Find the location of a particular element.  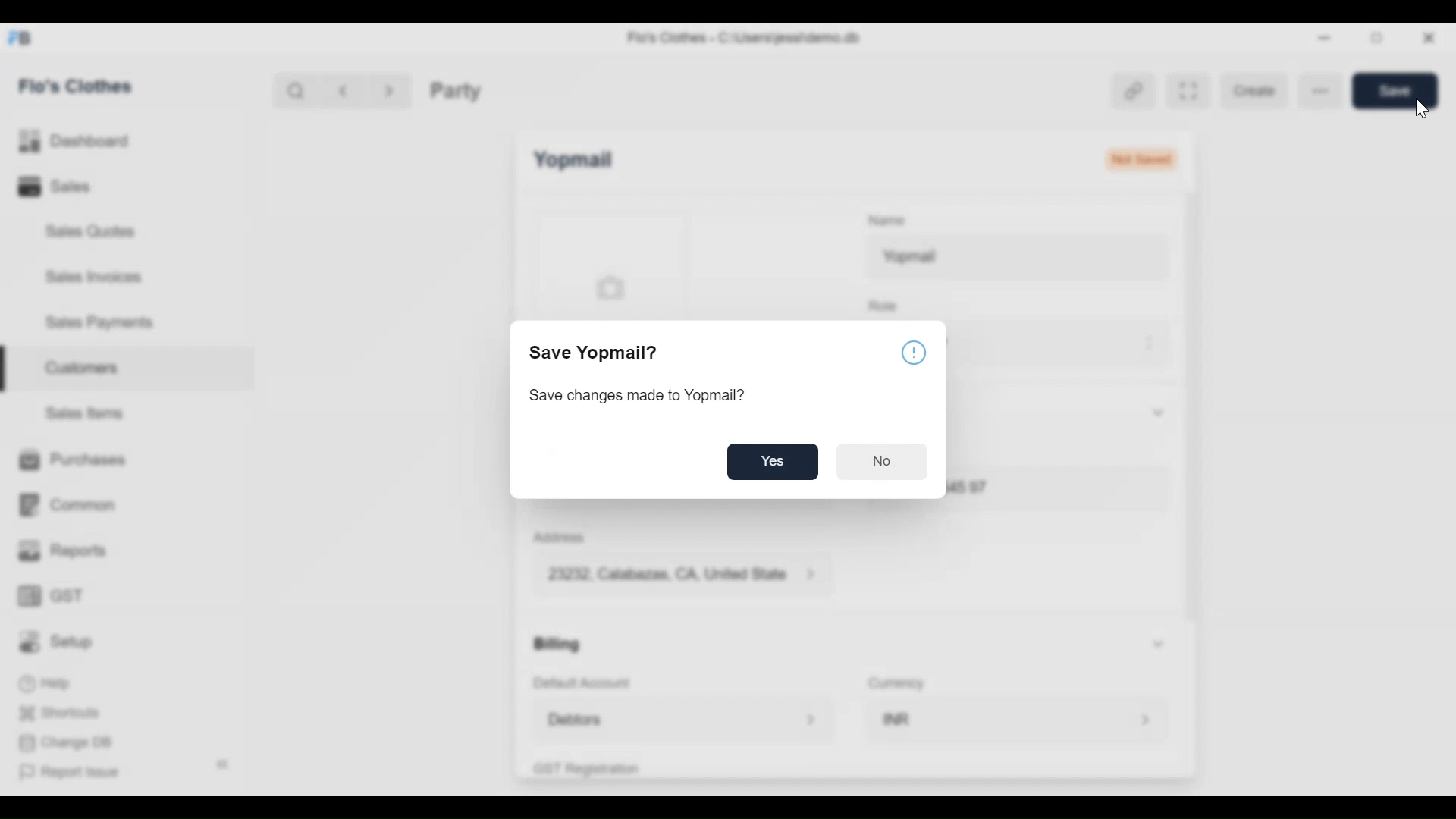

information is located at coordinates (915, 352).